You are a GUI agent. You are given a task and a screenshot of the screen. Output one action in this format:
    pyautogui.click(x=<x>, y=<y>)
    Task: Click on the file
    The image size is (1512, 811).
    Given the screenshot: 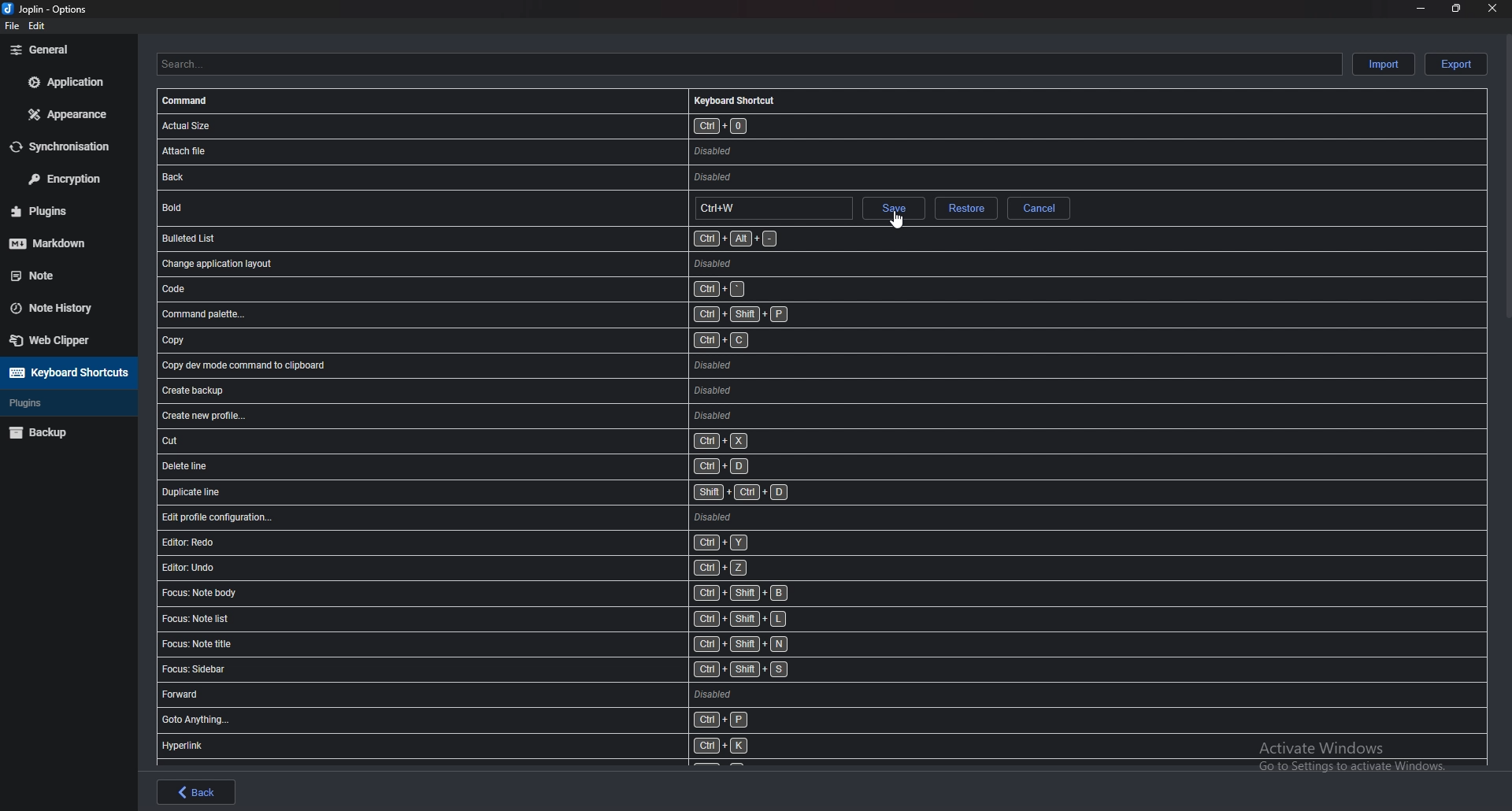 What is the action you would take?
    pyautogui.click(x=12, y=28)
    